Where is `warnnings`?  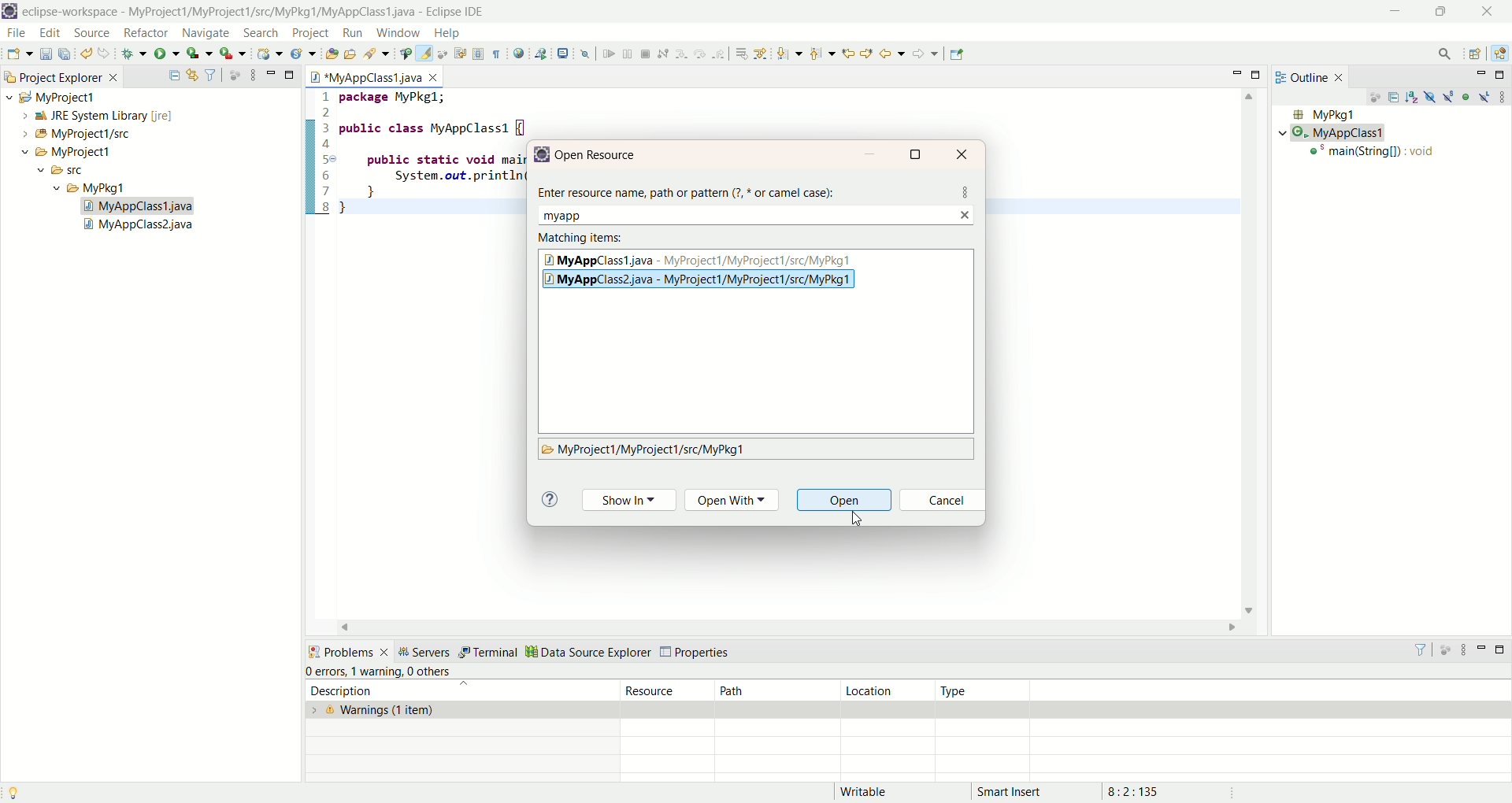 warnnings is located at coordinates (462, 710).